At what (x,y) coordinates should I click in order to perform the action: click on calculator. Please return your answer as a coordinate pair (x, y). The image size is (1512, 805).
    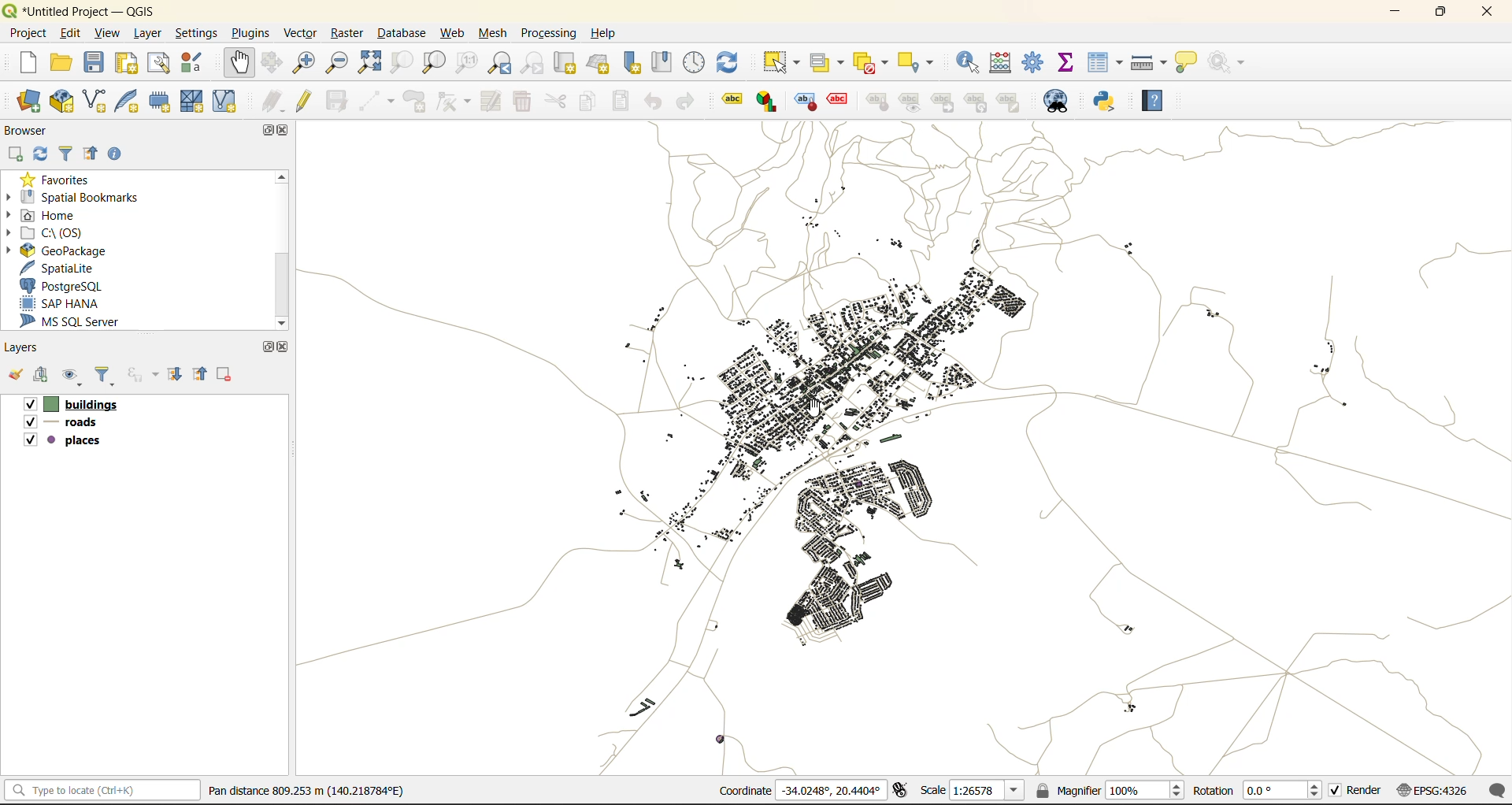
    Looking at the image, I should click on (1002, 63).